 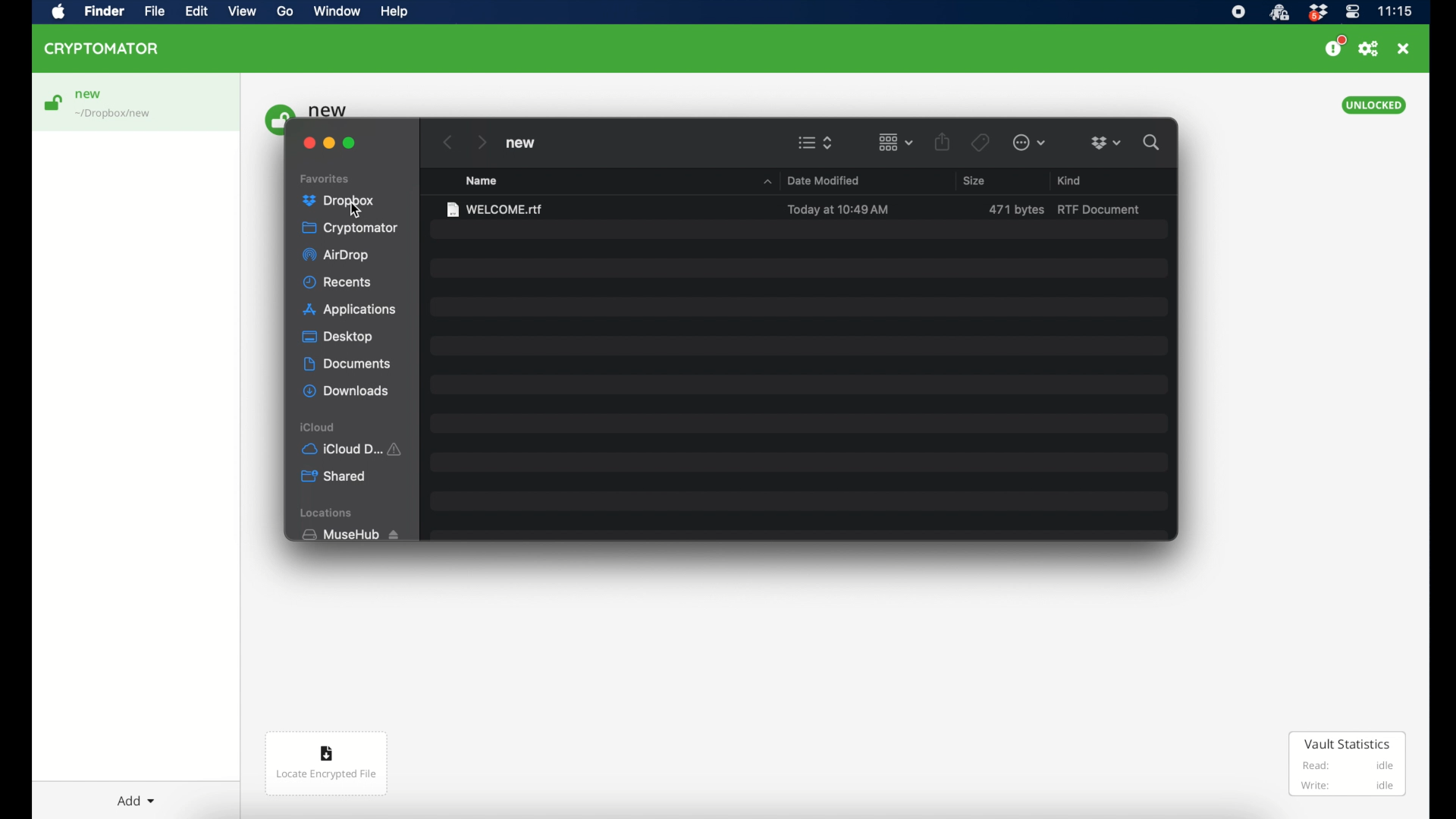 What do you see at coordinates (520, 143) in the screenshot?
I see `new` at bounding box center [520, 143].